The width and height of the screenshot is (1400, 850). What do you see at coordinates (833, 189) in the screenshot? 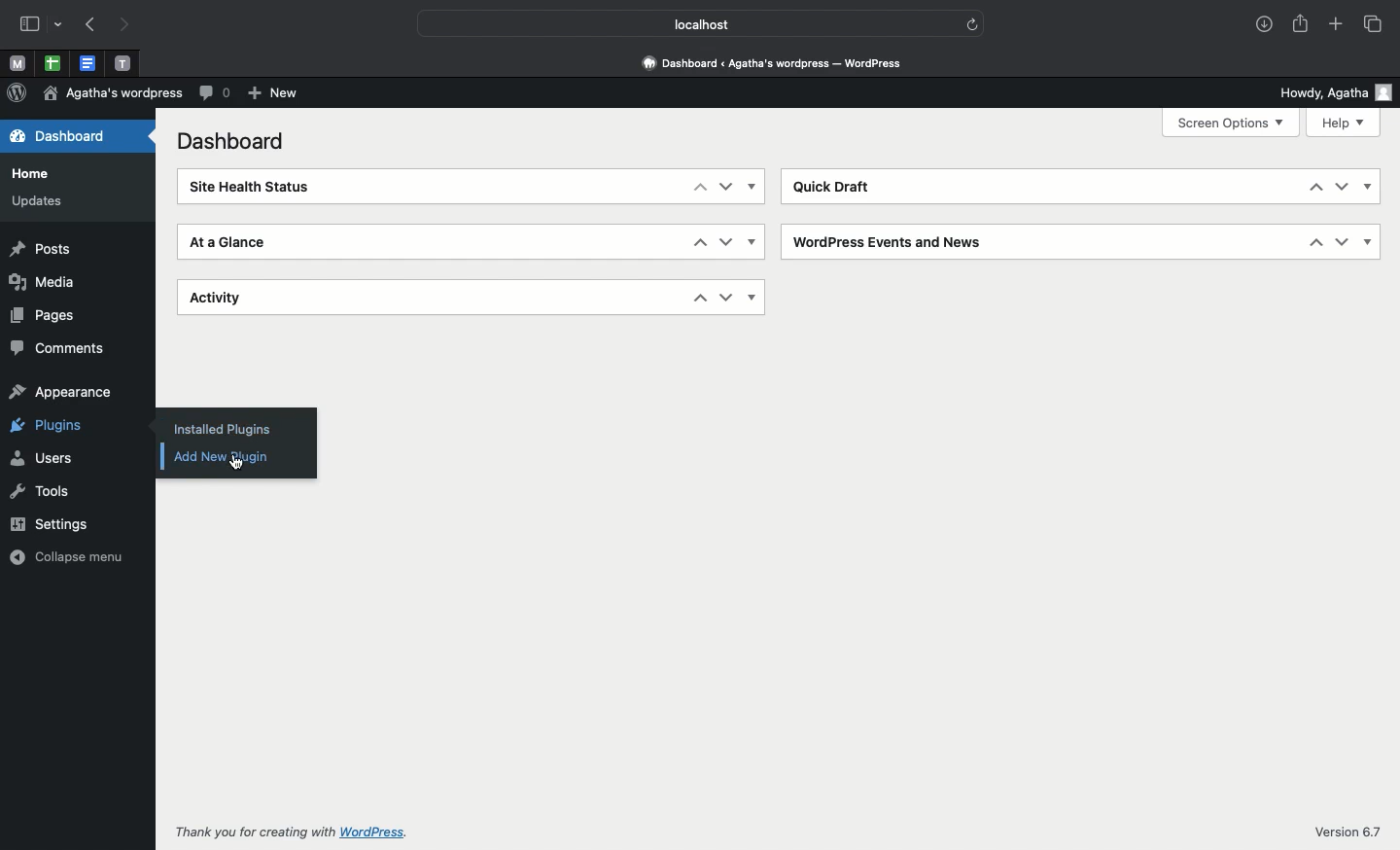
I see `Quick draft` at bounding box center [833, 189].